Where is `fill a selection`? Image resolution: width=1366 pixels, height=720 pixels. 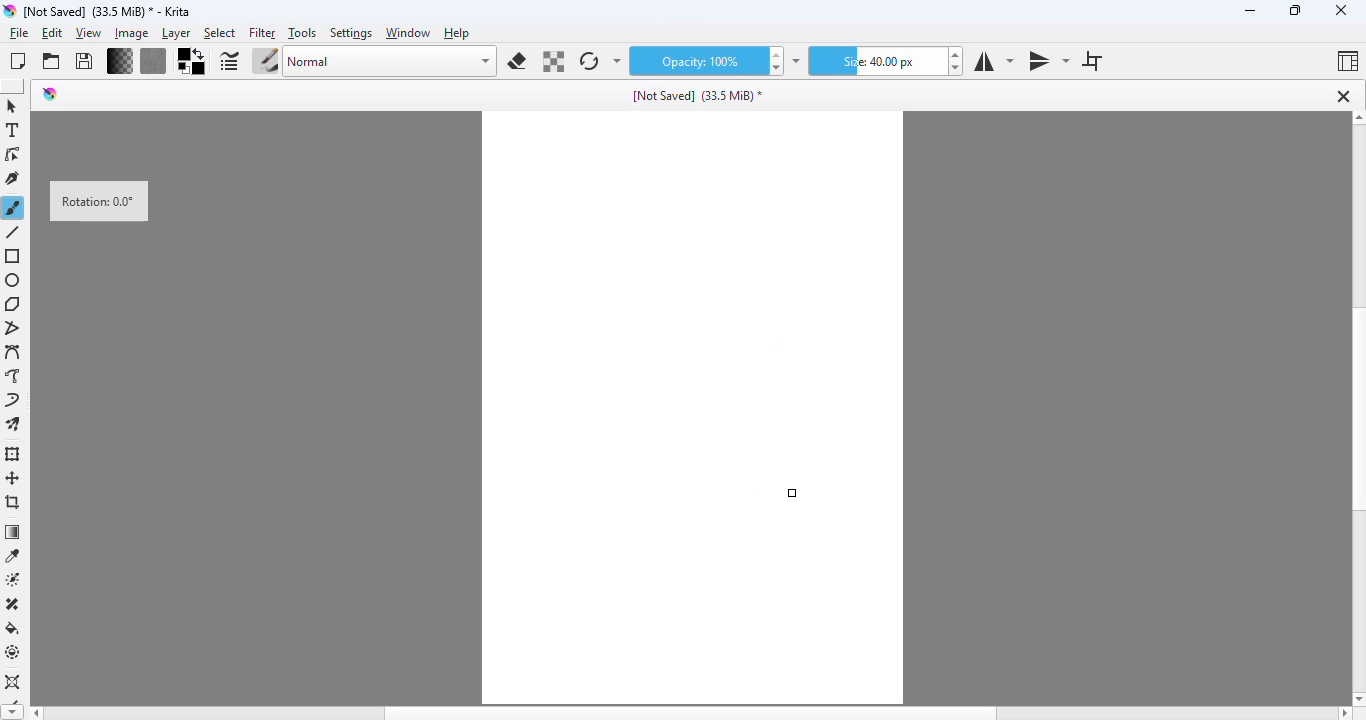
fill a selection is located at coordinates (13, 629).